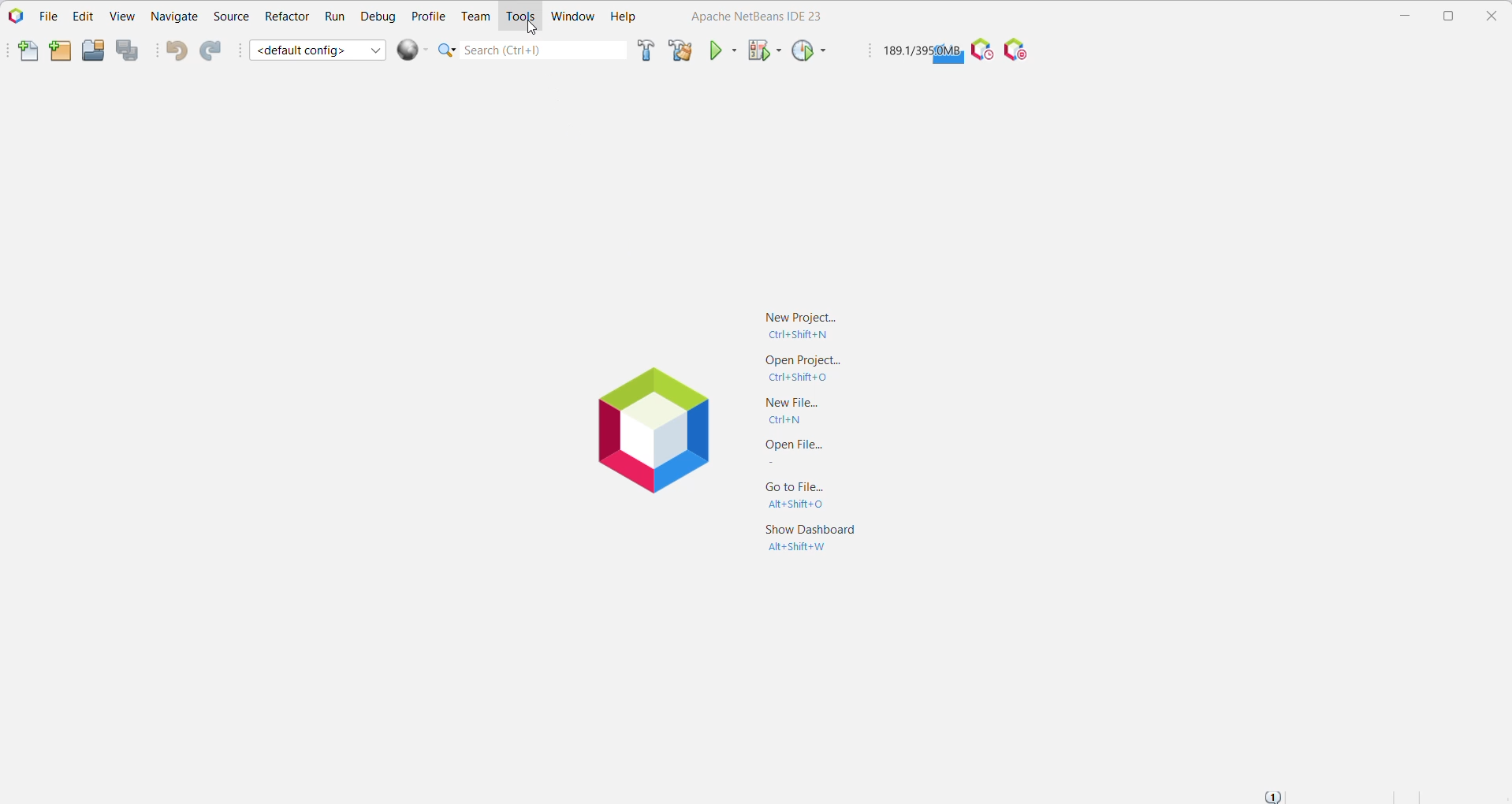 Image resolution: width=1512 pixels, height=804 pixels. What do you see at coordinates (809, 52) in the screenshot?
I see `Profile Project` at bounding box center [809, 52].